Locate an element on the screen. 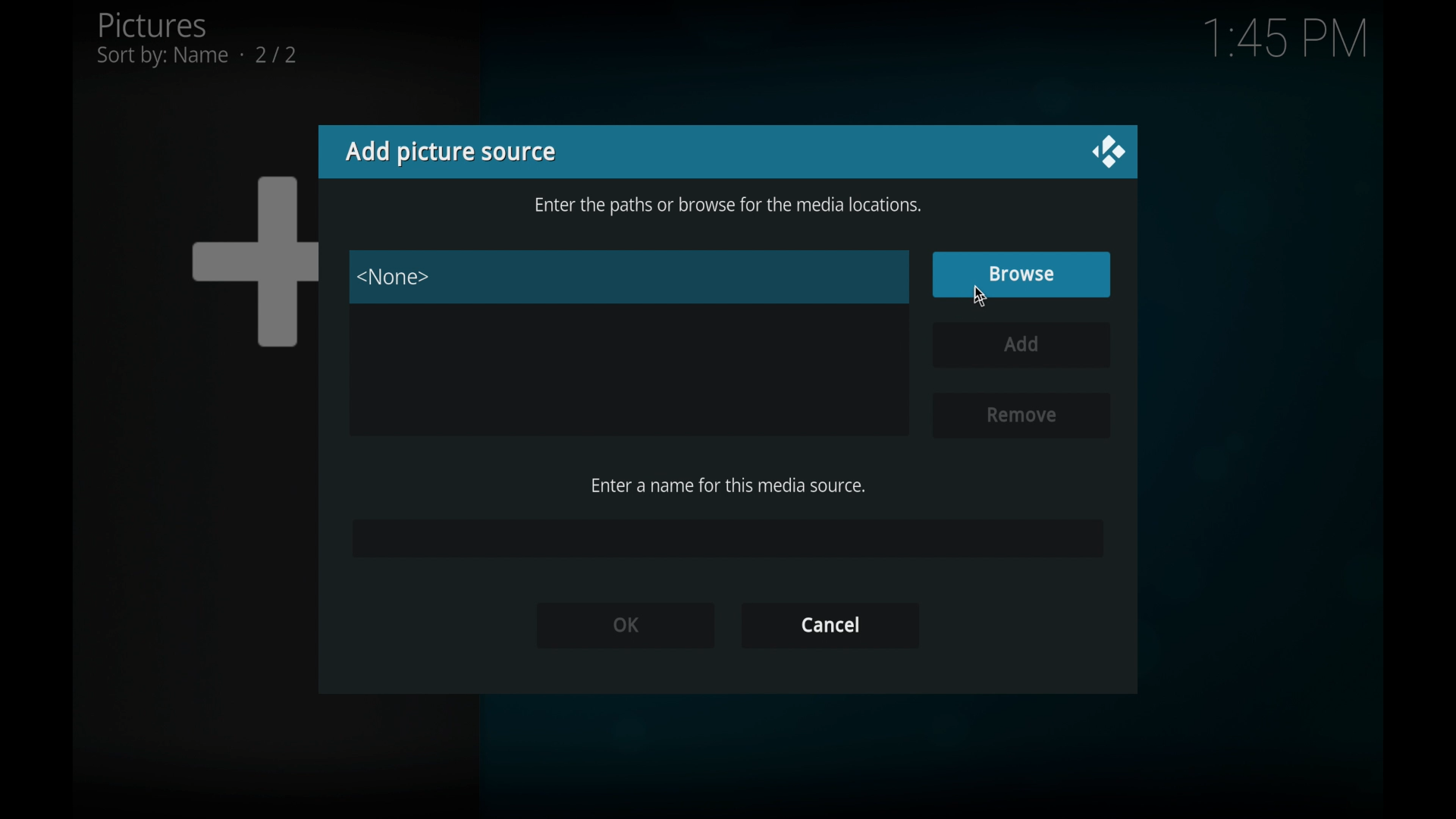  time is located at coordinates (1285, 39).